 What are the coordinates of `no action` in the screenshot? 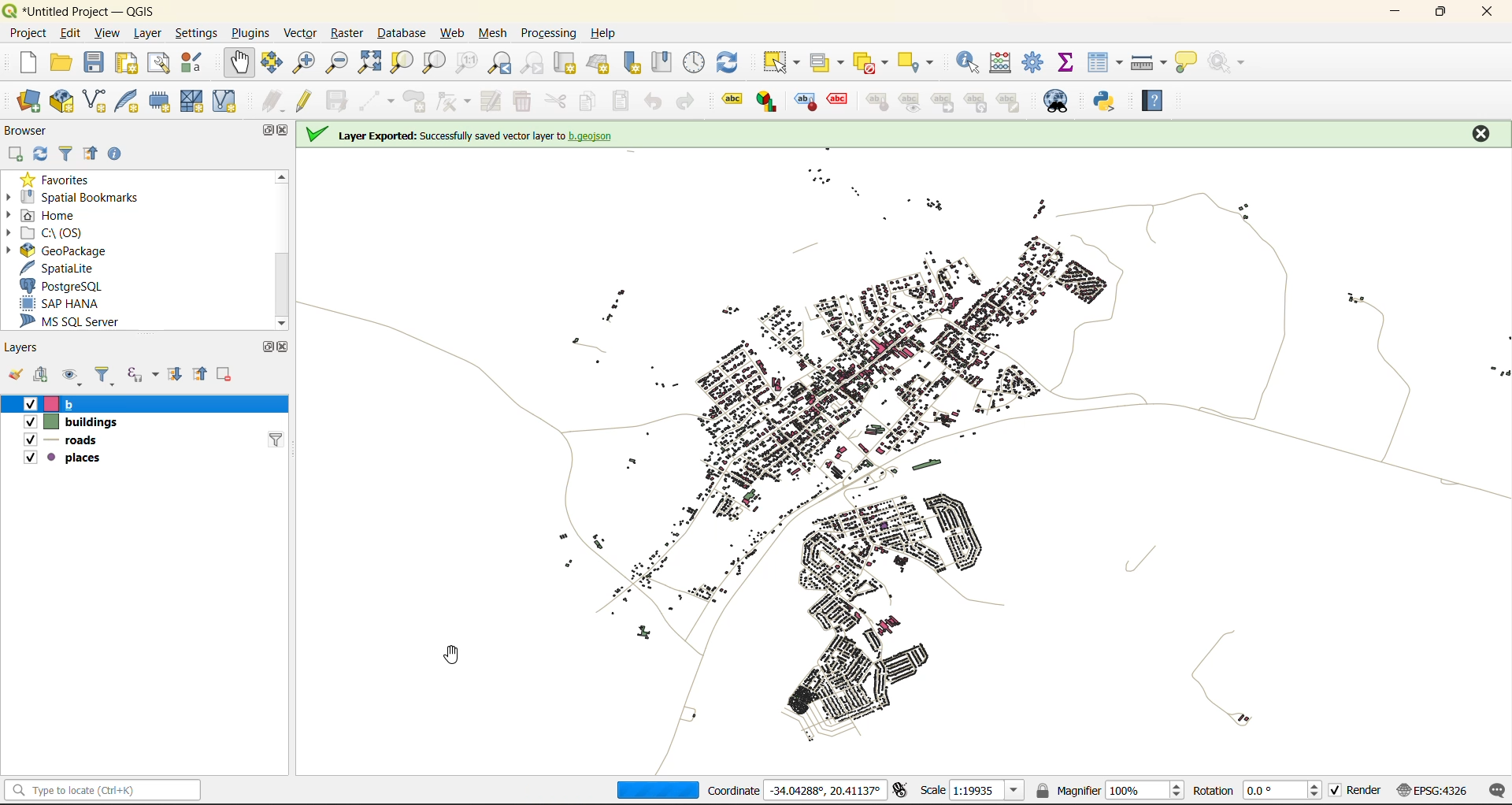 It's located at (1232, 62).